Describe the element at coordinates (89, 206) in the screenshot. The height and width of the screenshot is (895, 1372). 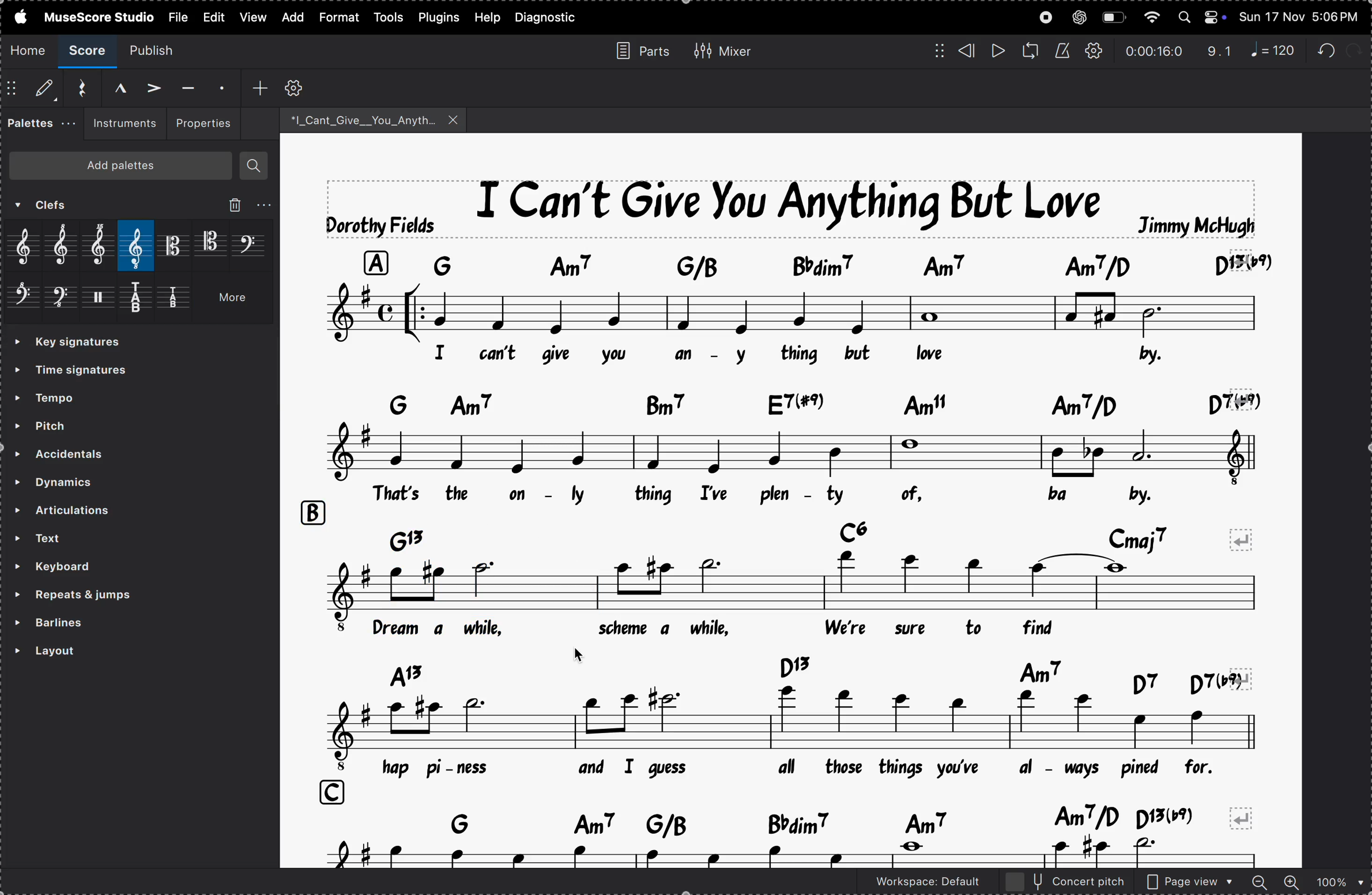
I see `Clefs` at that location.